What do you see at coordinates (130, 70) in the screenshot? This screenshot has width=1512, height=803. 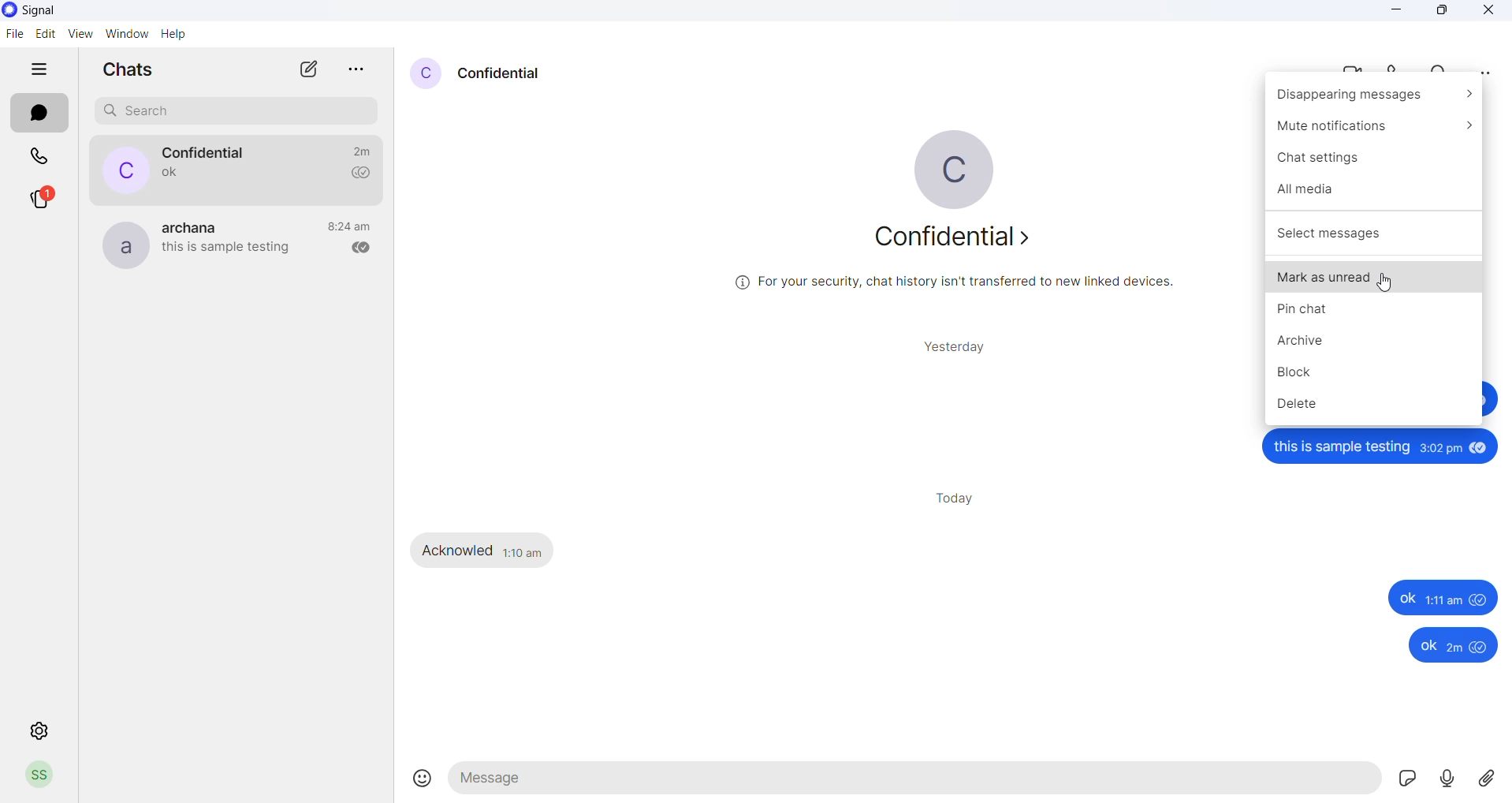 I see `chats heading` at bounding box center [130, 70].